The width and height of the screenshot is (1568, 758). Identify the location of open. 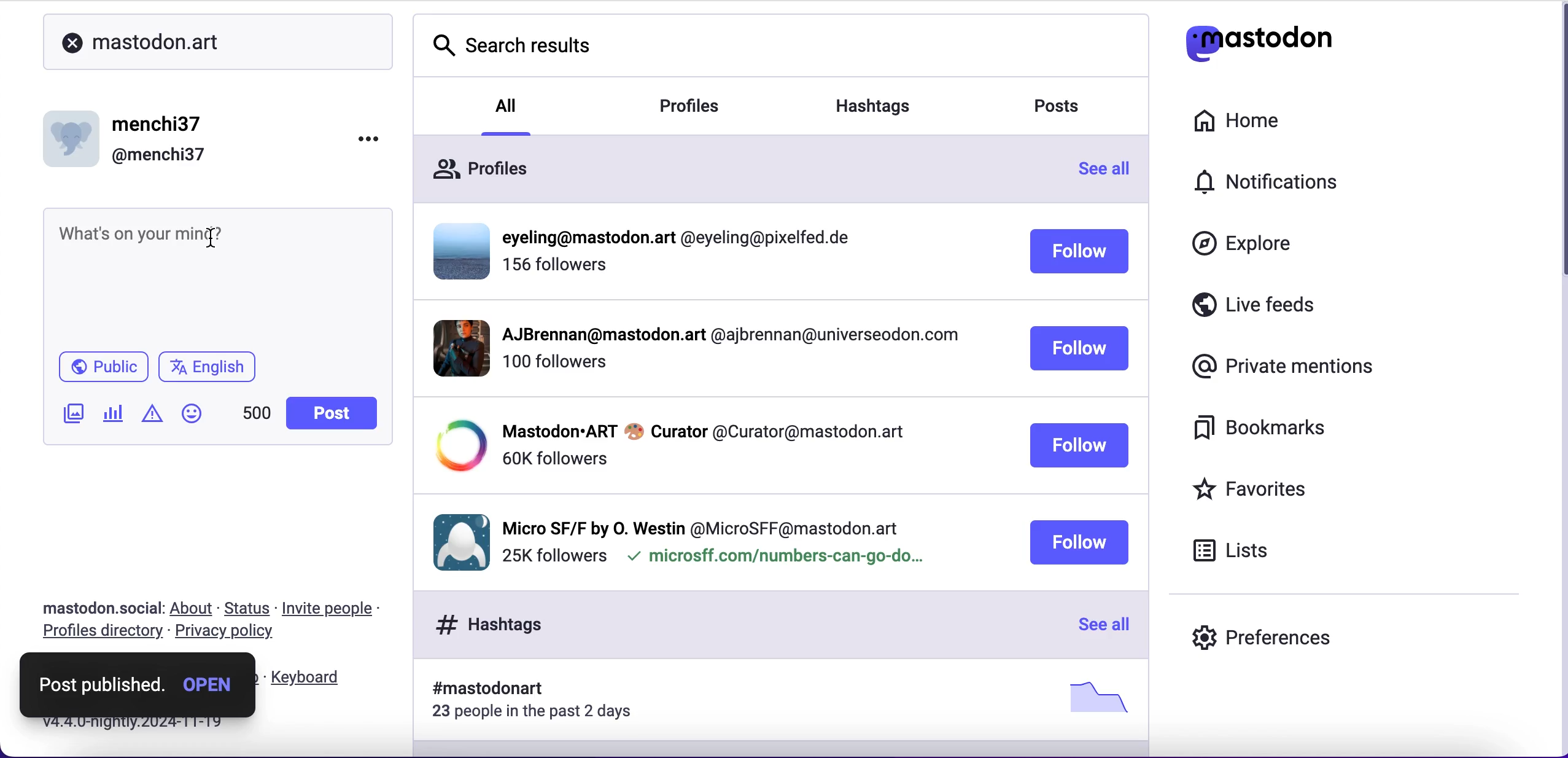
(206, 682).